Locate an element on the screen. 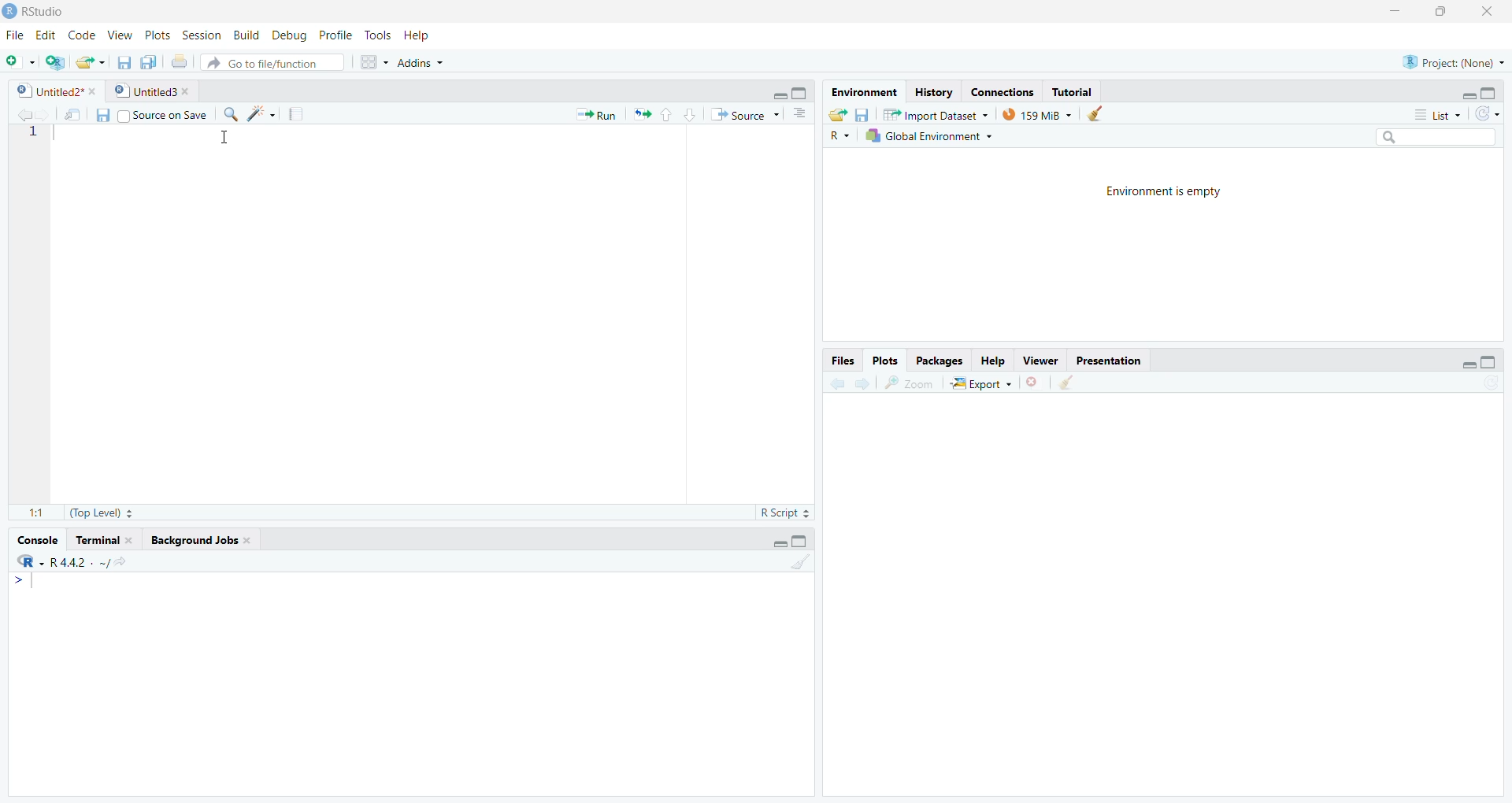 The width and height of the screenshot is (1512, 803). Show document Outline is located at coordinates (802, 113).